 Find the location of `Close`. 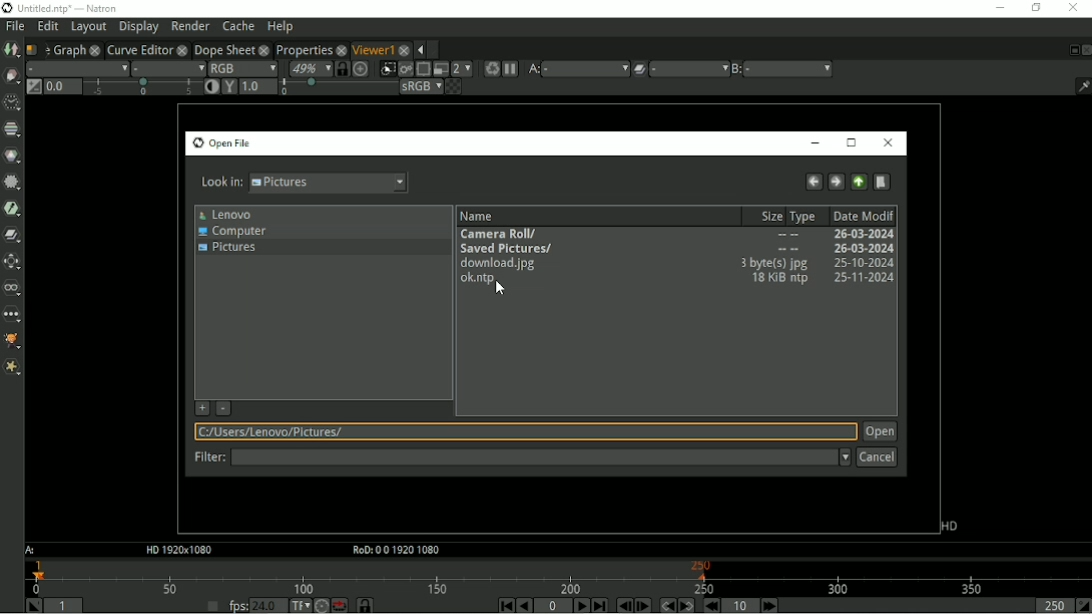

Close is located at coordinates (887, 143).